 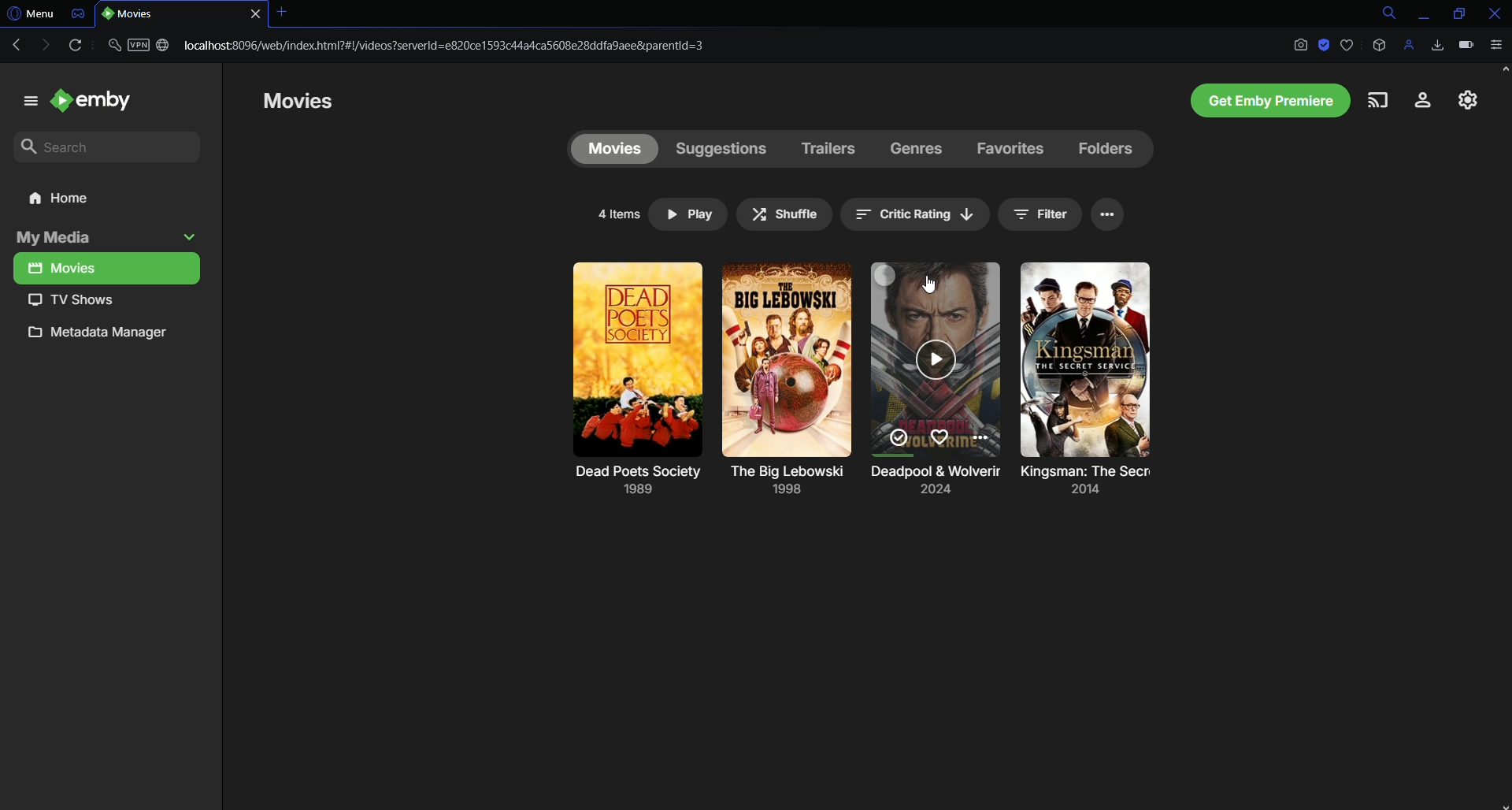 What do you see at coordinates (1454, 13) in the screenshot?
I see `Restore` at bounding box center [1454, 13].